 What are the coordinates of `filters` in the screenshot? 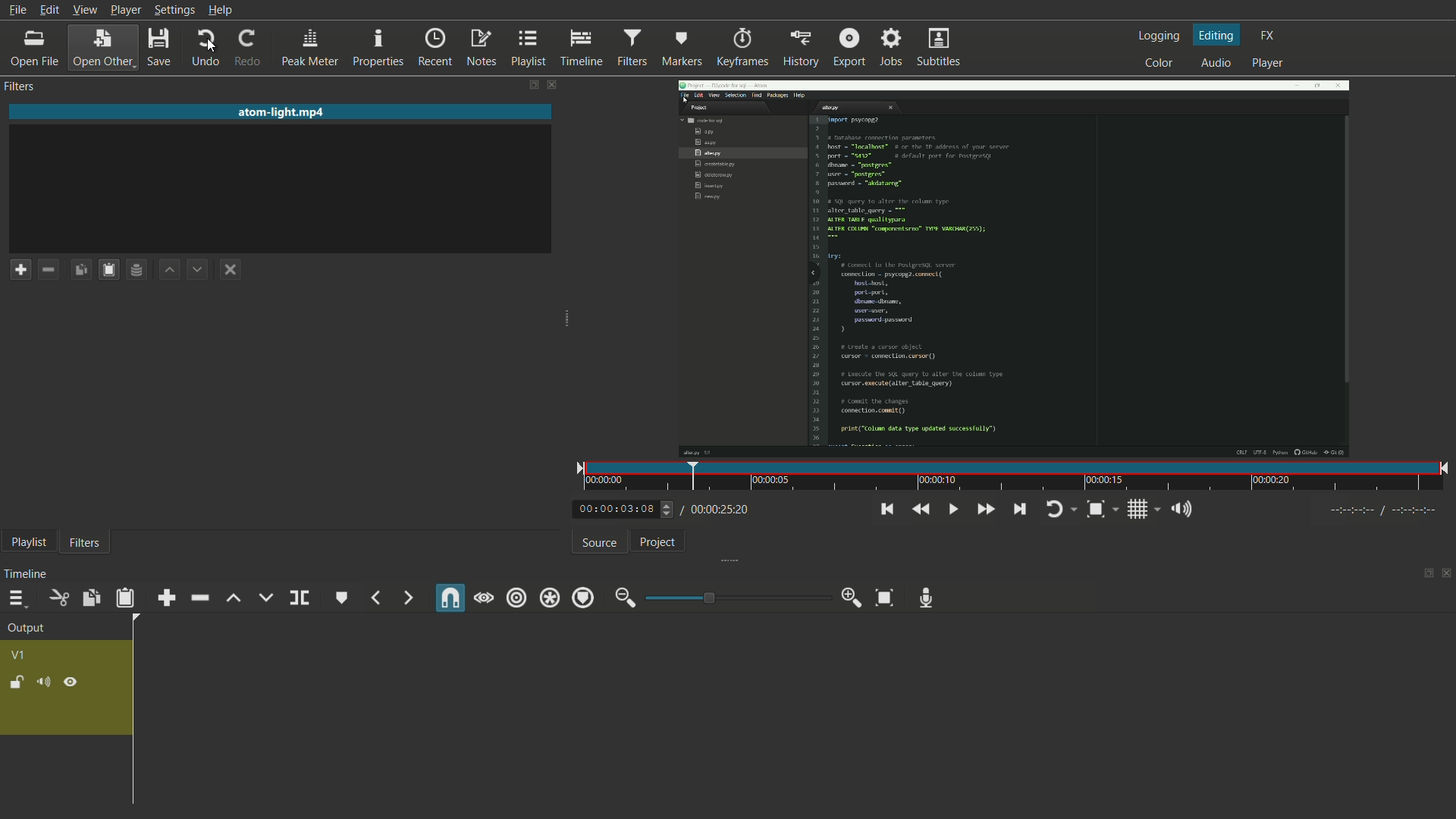 It's located at (85, 544).